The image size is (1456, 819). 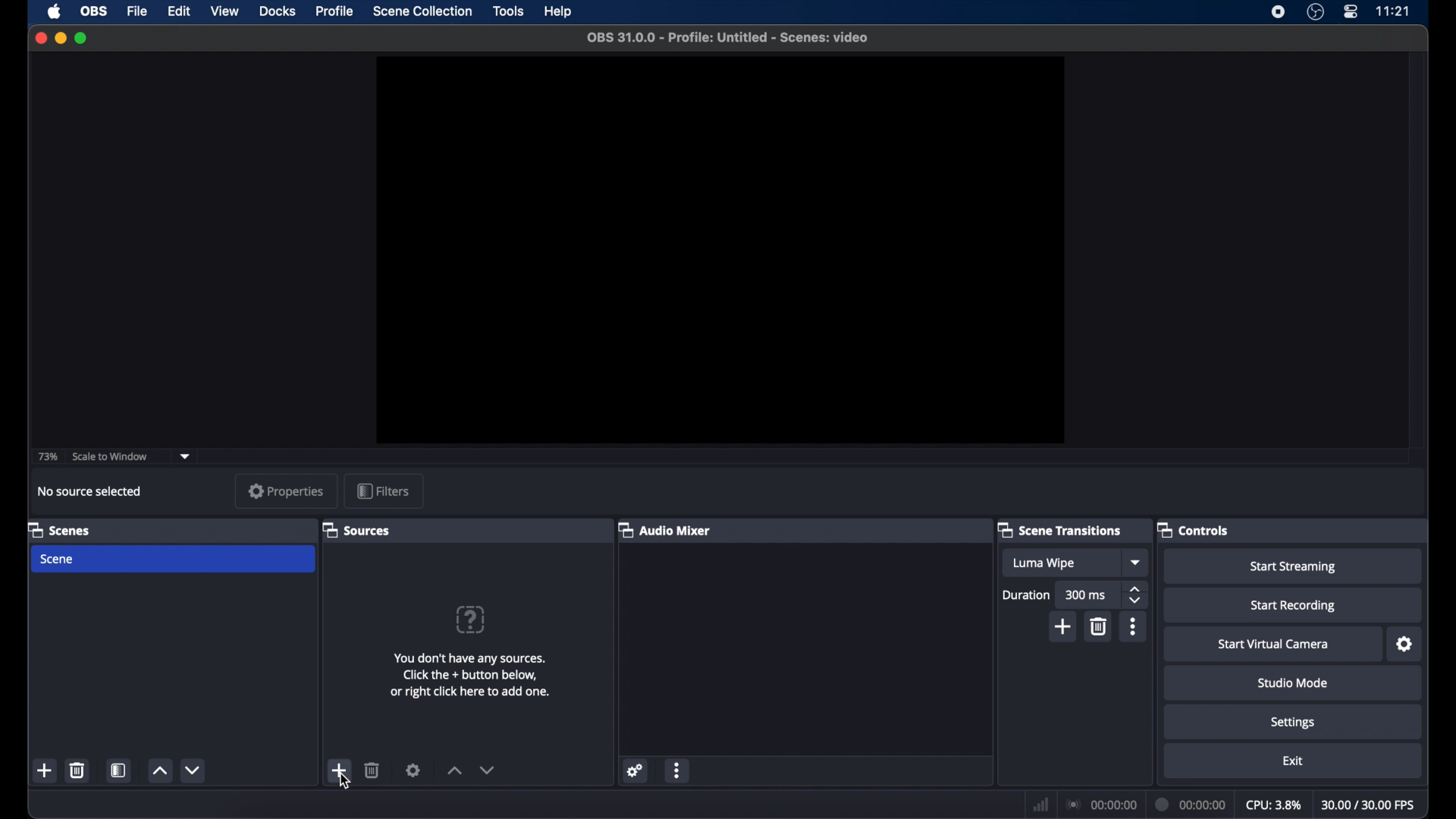 What do you see at coordinates (96, 11) in the screenshot?
I see `obs` at bounding box center [96, 11].